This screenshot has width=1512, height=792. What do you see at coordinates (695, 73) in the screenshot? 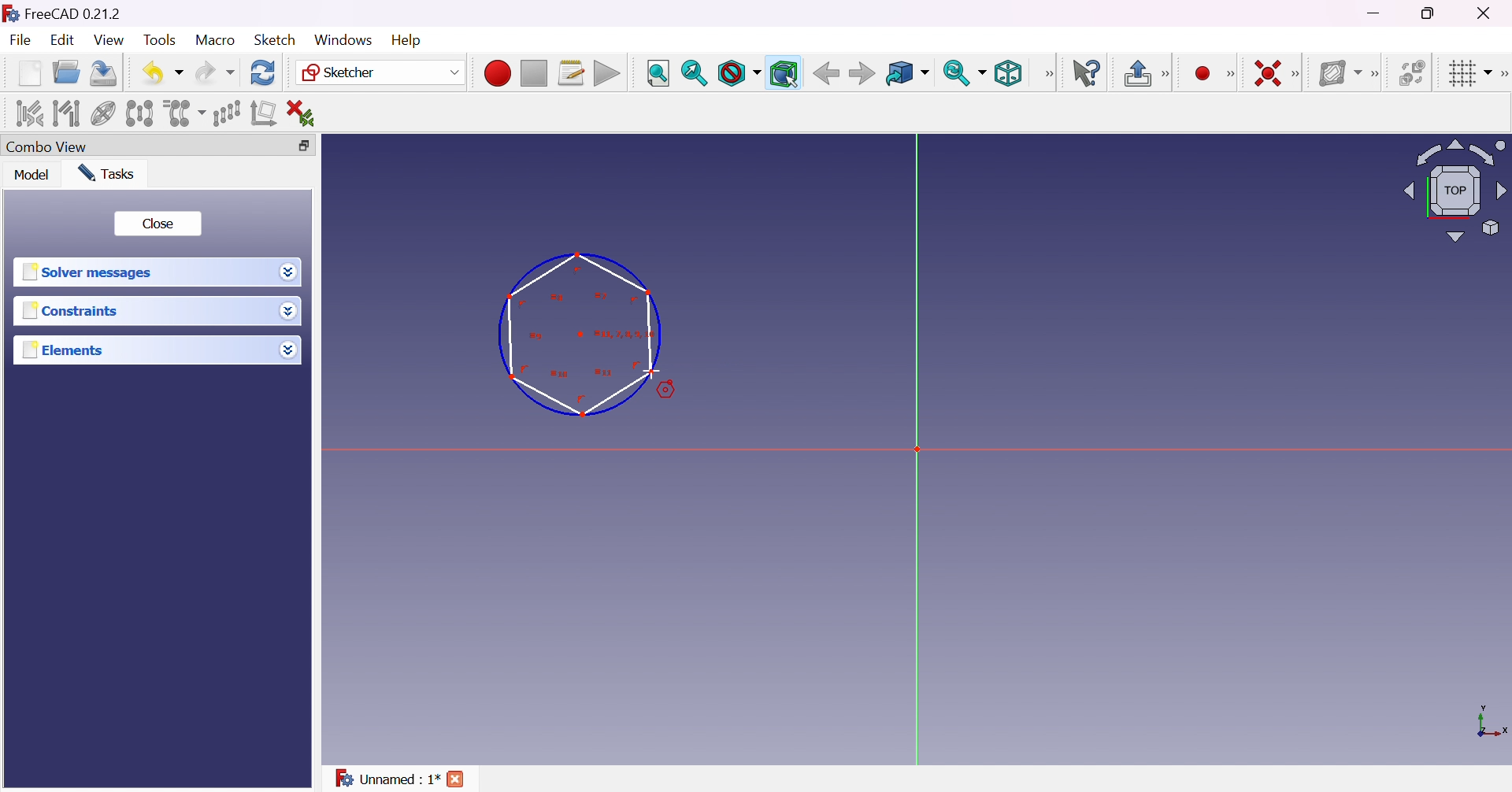
I see `Fit selection` at bounding box center [695, 73].